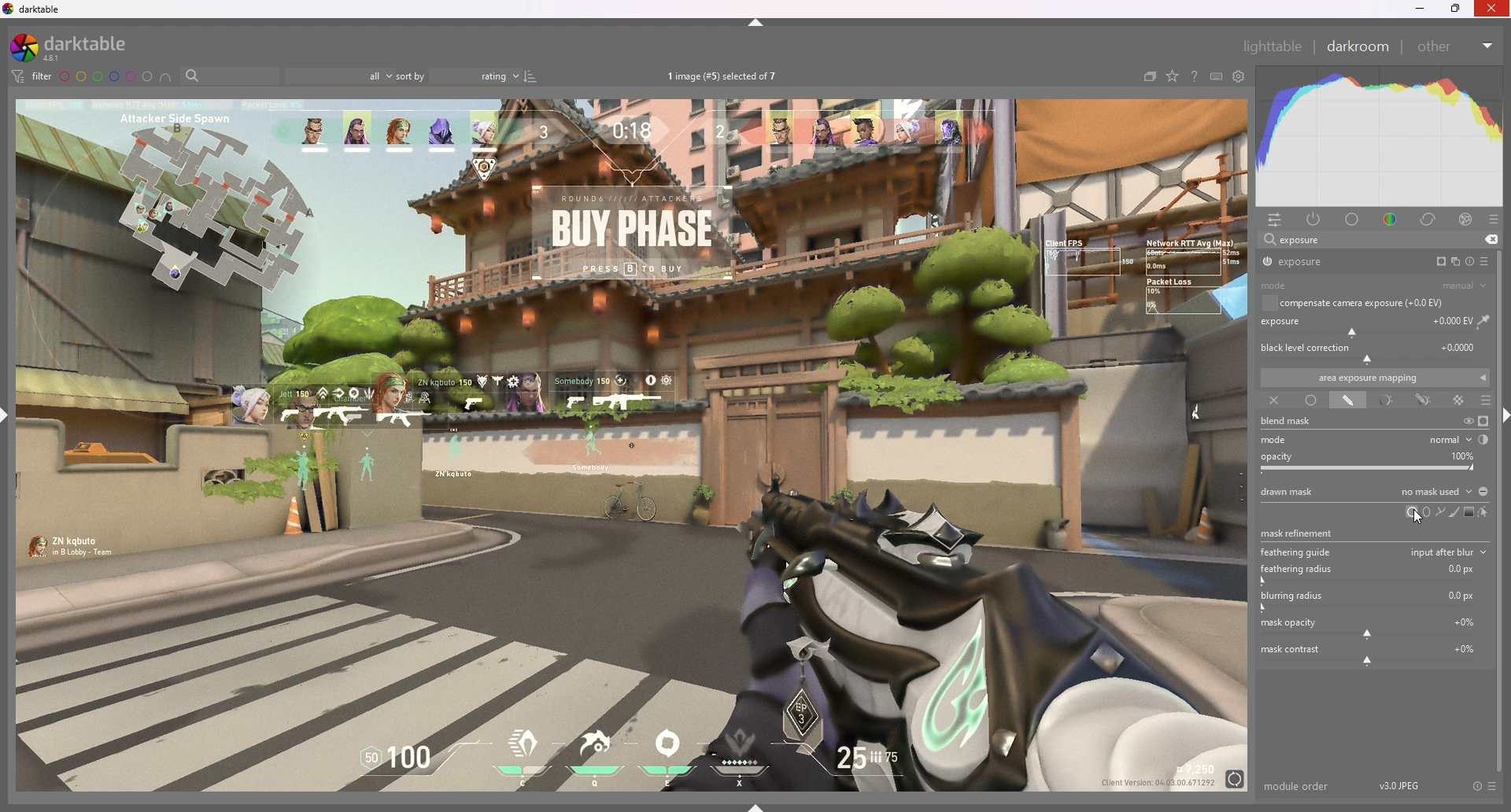 Image resolution: width=1511 pixels, height=812 pixels. What do you see at coordinates (1469, 261) in the screenshot?
I see `reset` at bounding box center [1469, 261].